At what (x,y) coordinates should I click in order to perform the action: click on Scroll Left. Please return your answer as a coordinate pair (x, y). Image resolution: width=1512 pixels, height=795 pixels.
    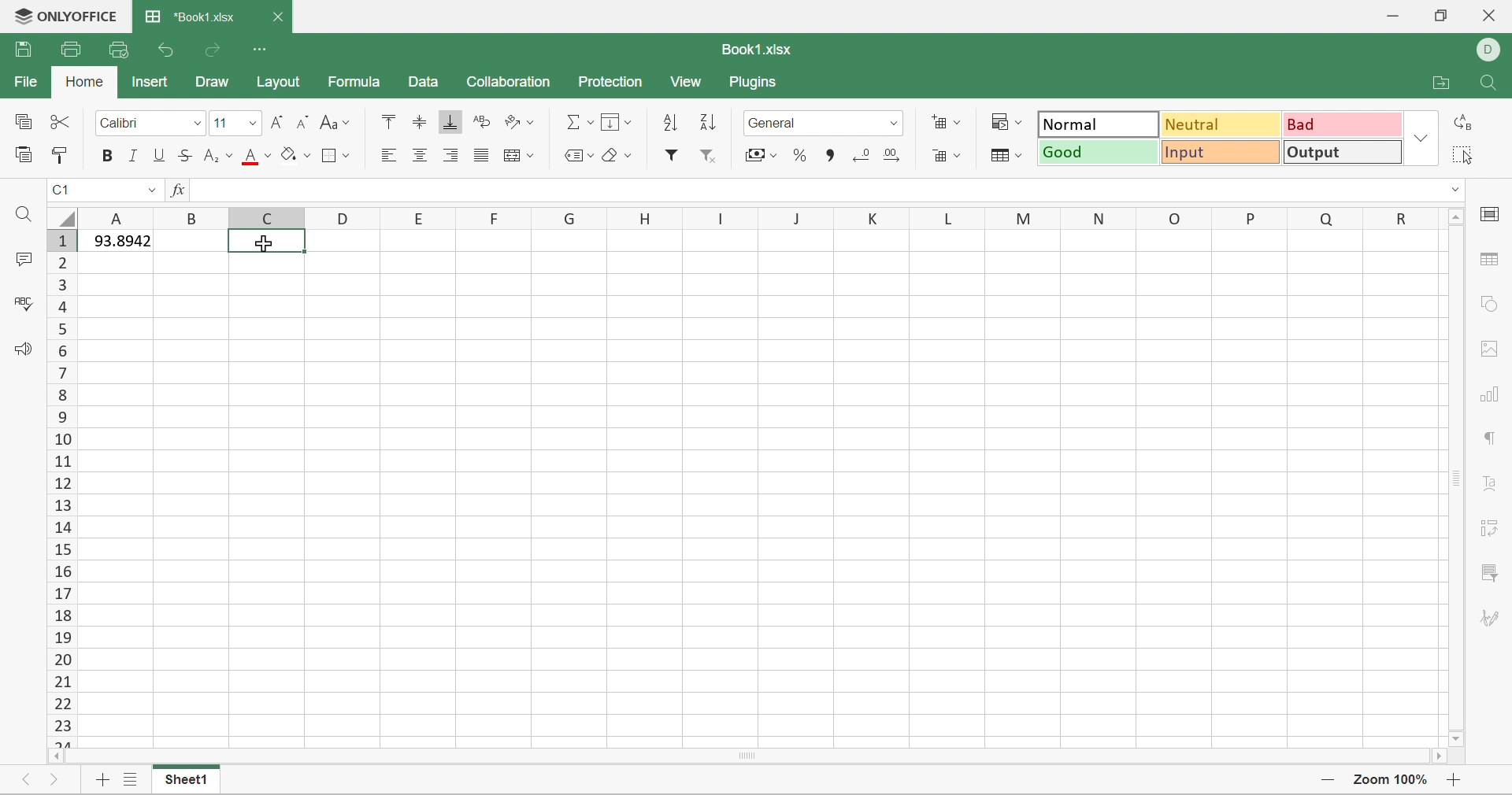
    Looking at the image, I should click on (57, 758).